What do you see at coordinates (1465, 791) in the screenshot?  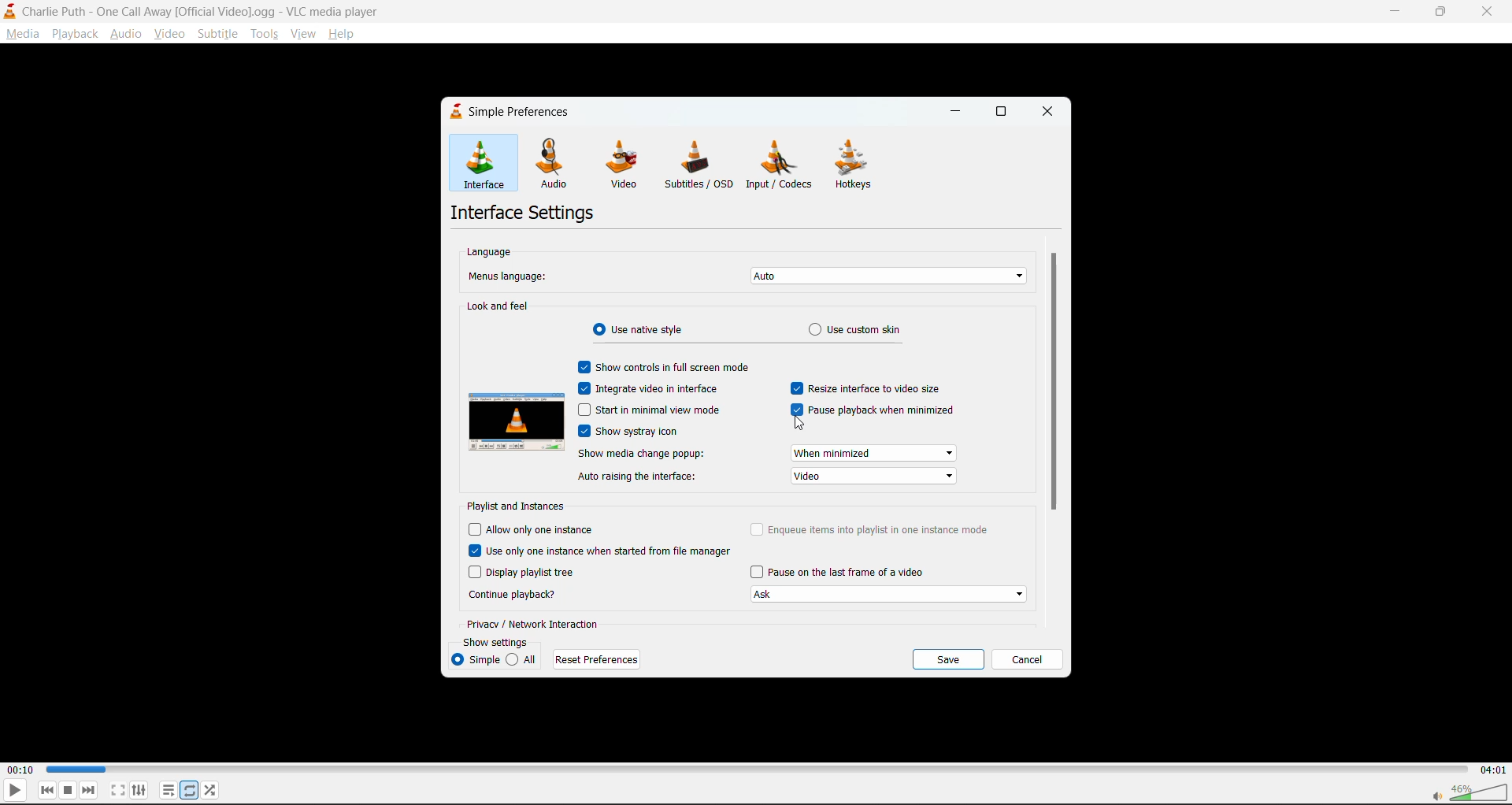 I see `volume` at bounding box center [1465, 791].